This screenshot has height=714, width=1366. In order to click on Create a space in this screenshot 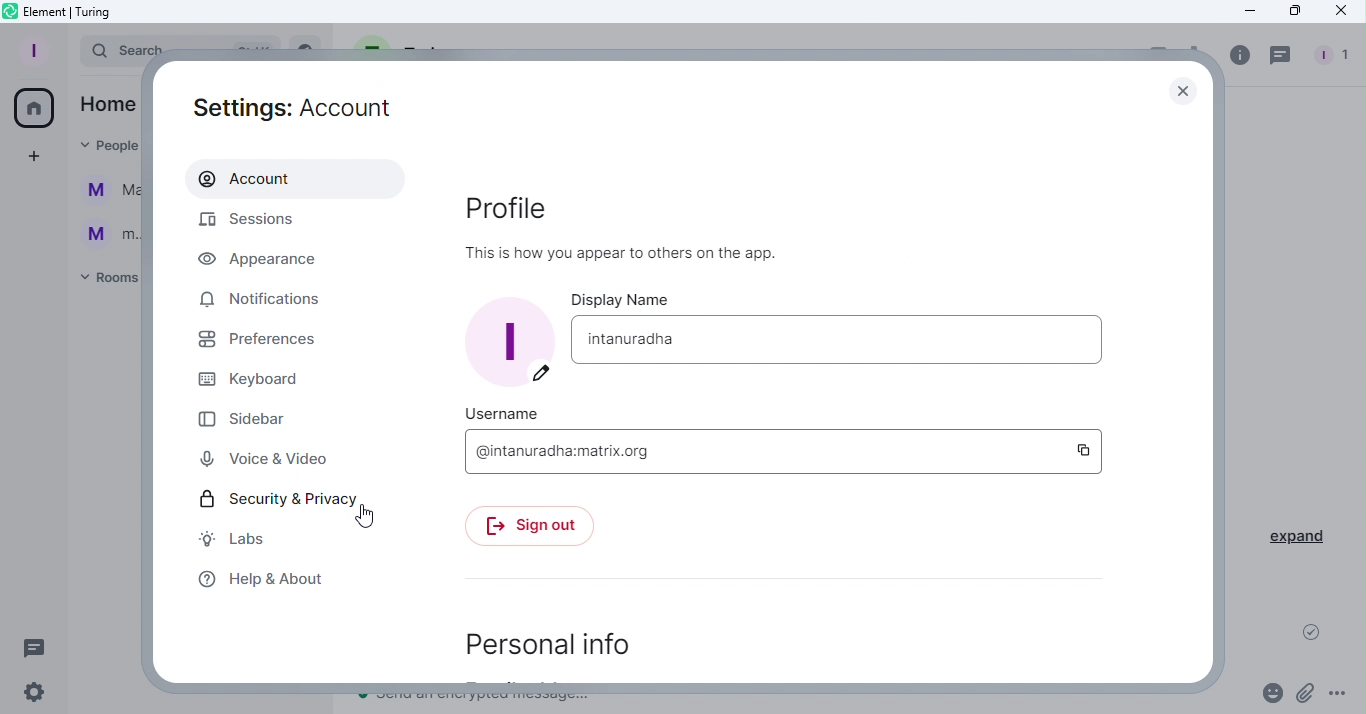, I will do `click(33, 157)`.